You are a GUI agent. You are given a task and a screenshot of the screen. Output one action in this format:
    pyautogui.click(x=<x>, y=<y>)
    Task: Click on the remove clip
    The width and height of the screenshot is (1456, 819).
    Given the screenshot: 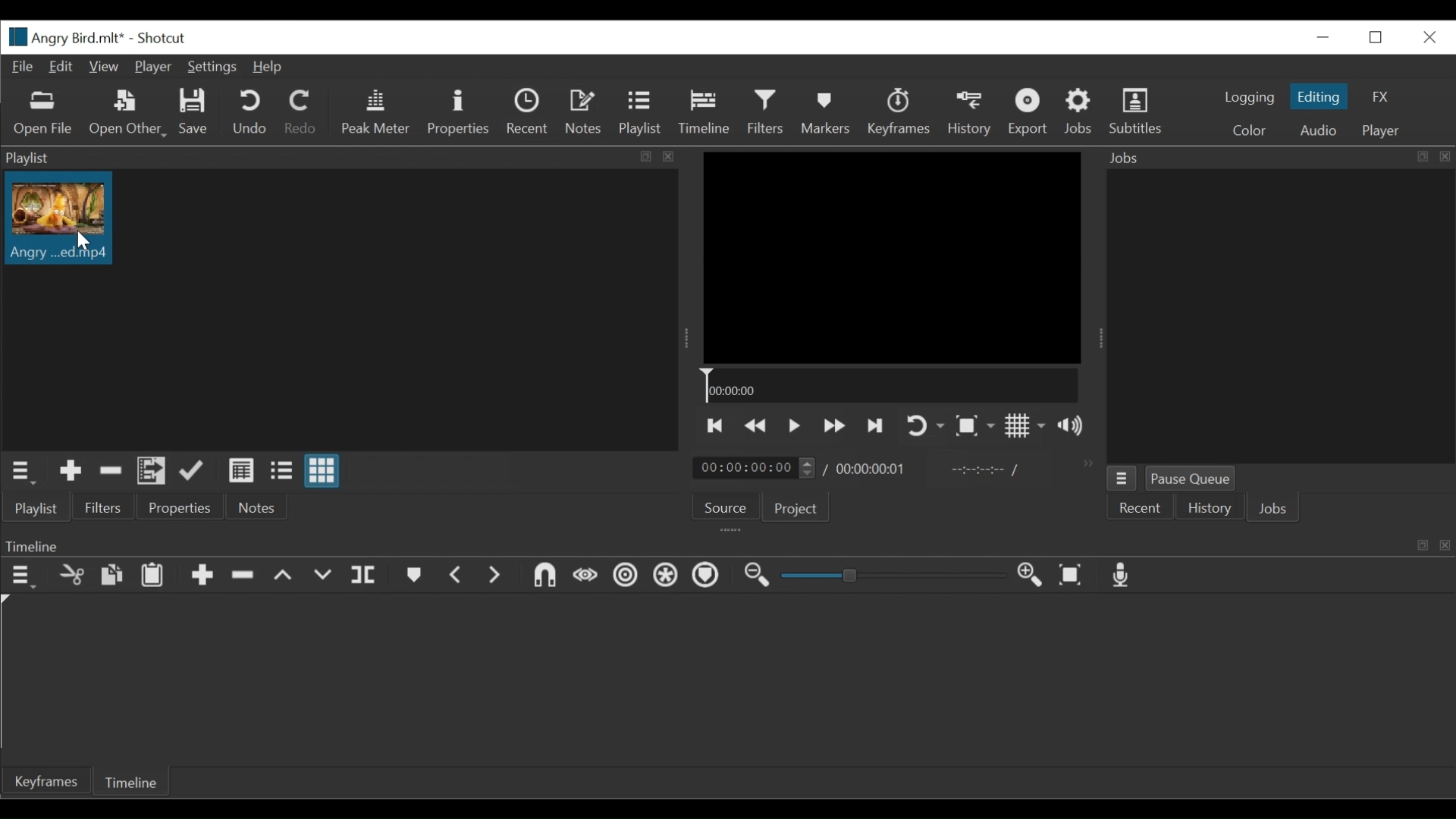 What is the action you would take?
    pyautogui.click(x=248, y=575)
    